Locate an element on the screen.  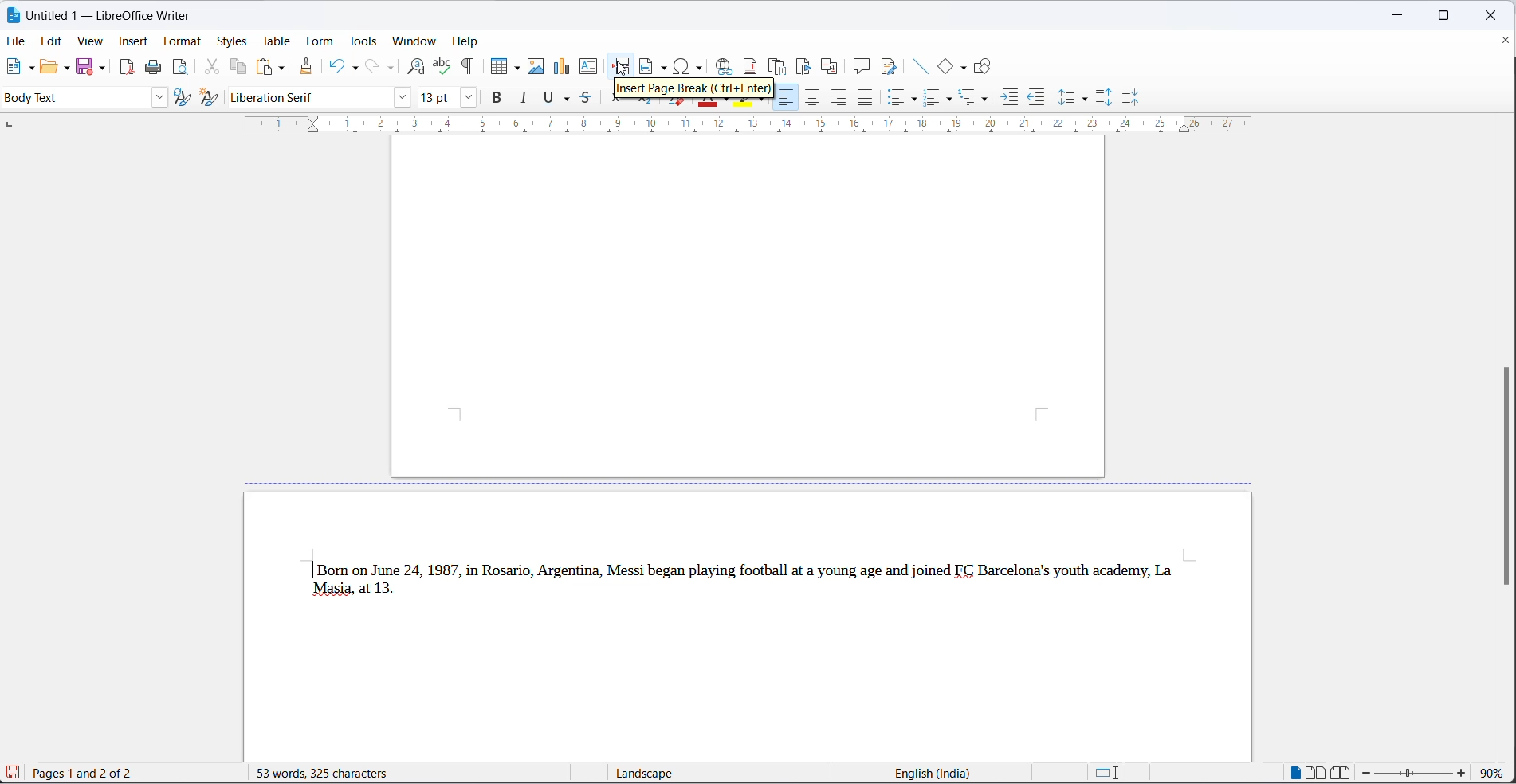
 is located at coordinates (438, 98).